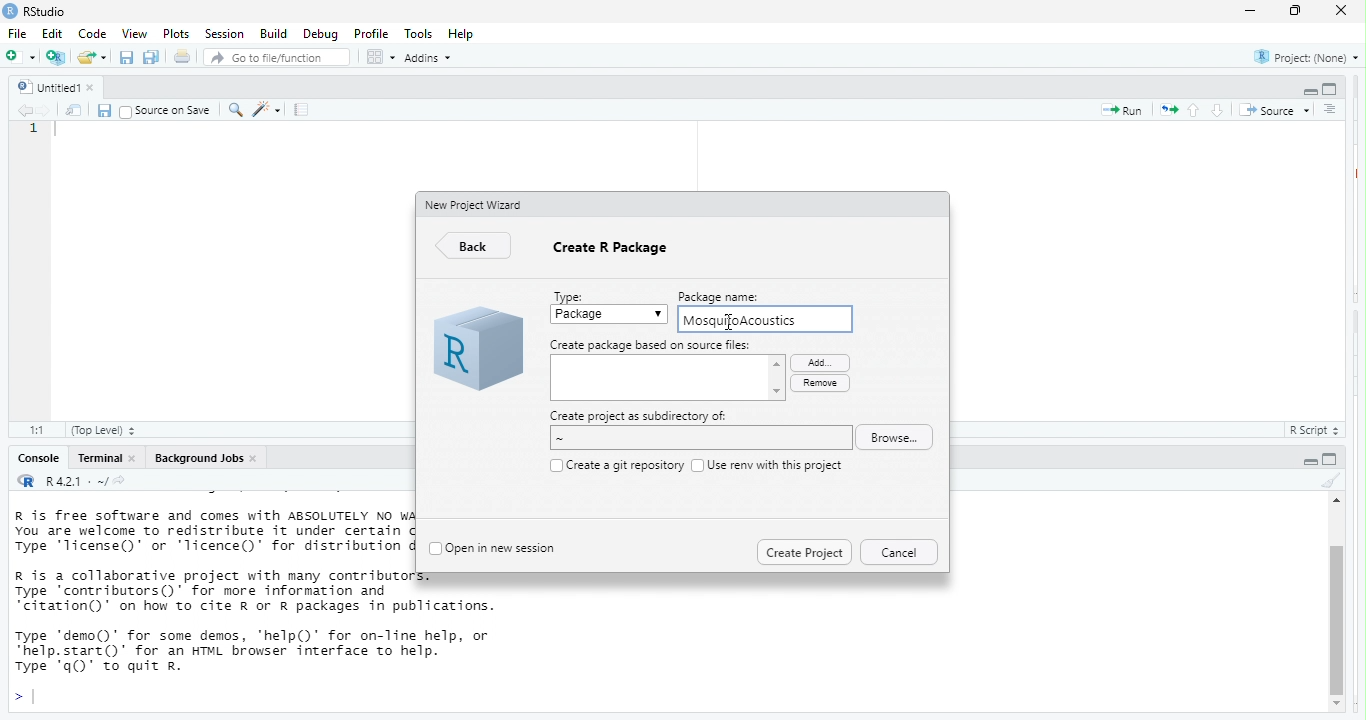 The image size is (1366, 720). What do you see at coordinates (61, 134) in the screenshot?
I see `typing cursor` at bounding box center [61, 134].